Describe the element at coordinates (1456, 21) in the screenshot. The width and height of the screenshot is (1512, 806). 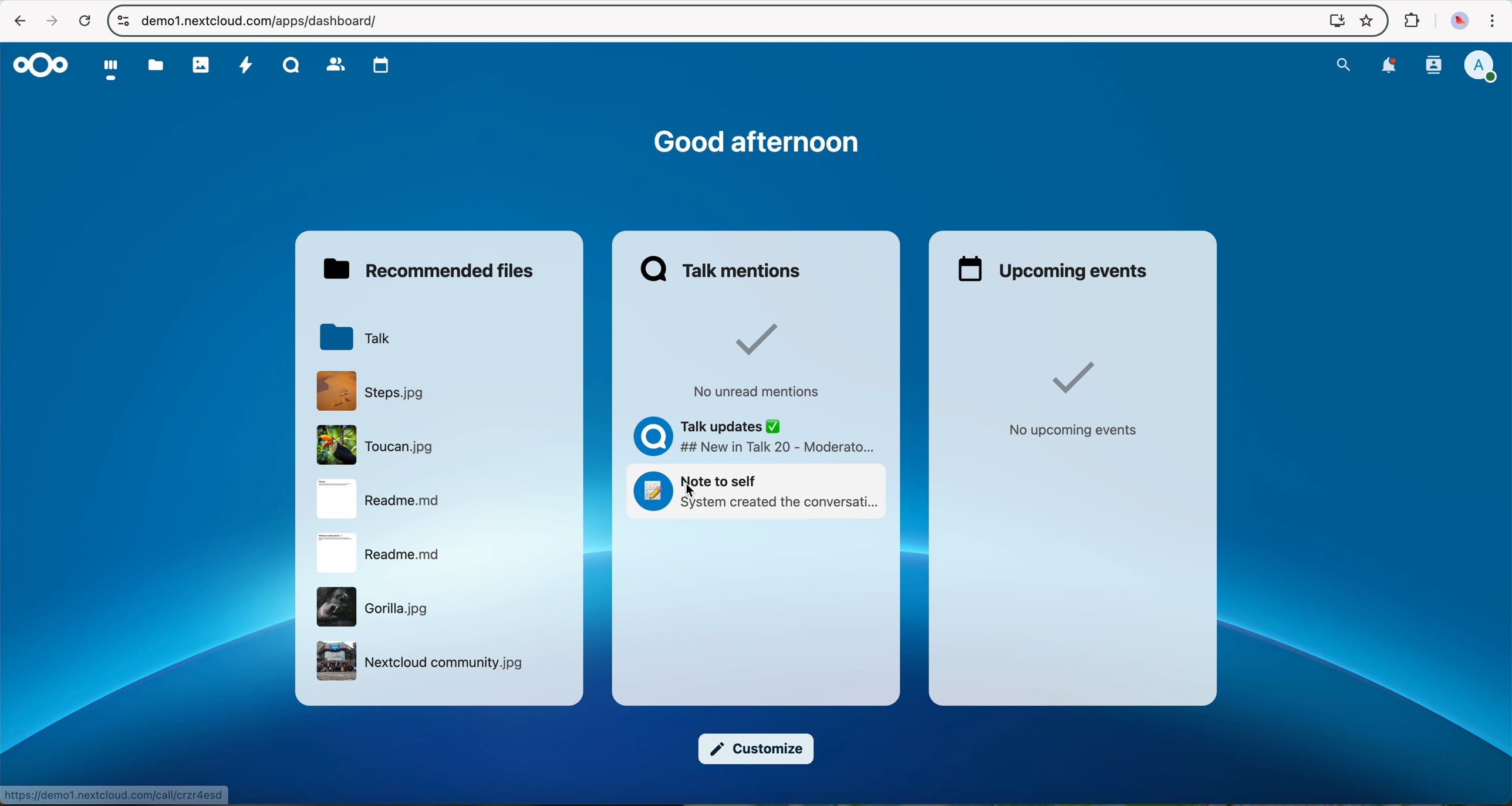
I see `profile picture` at that location.